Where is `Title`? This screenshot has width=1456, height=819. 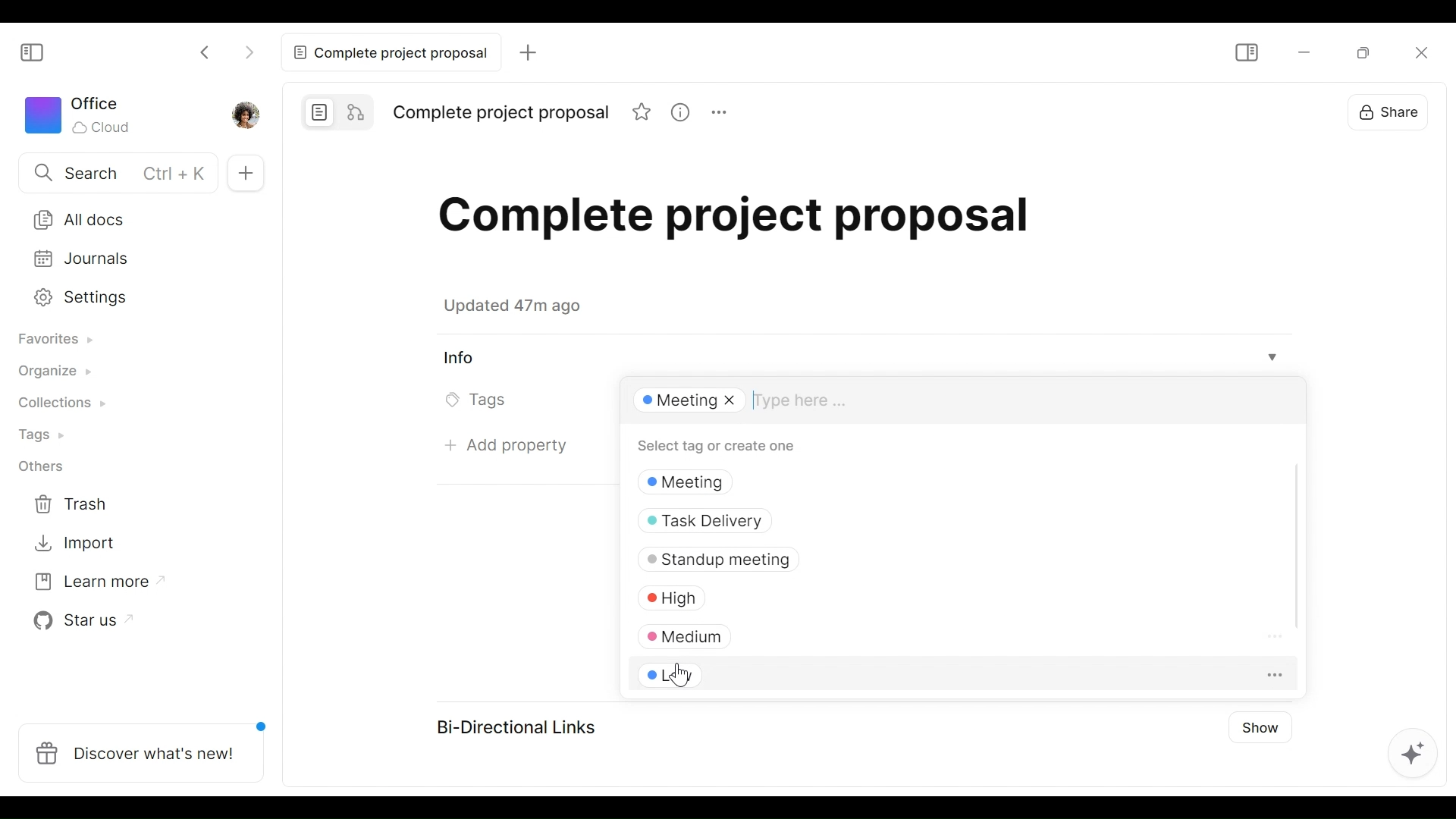 Title is located at coordinates (758, 224).